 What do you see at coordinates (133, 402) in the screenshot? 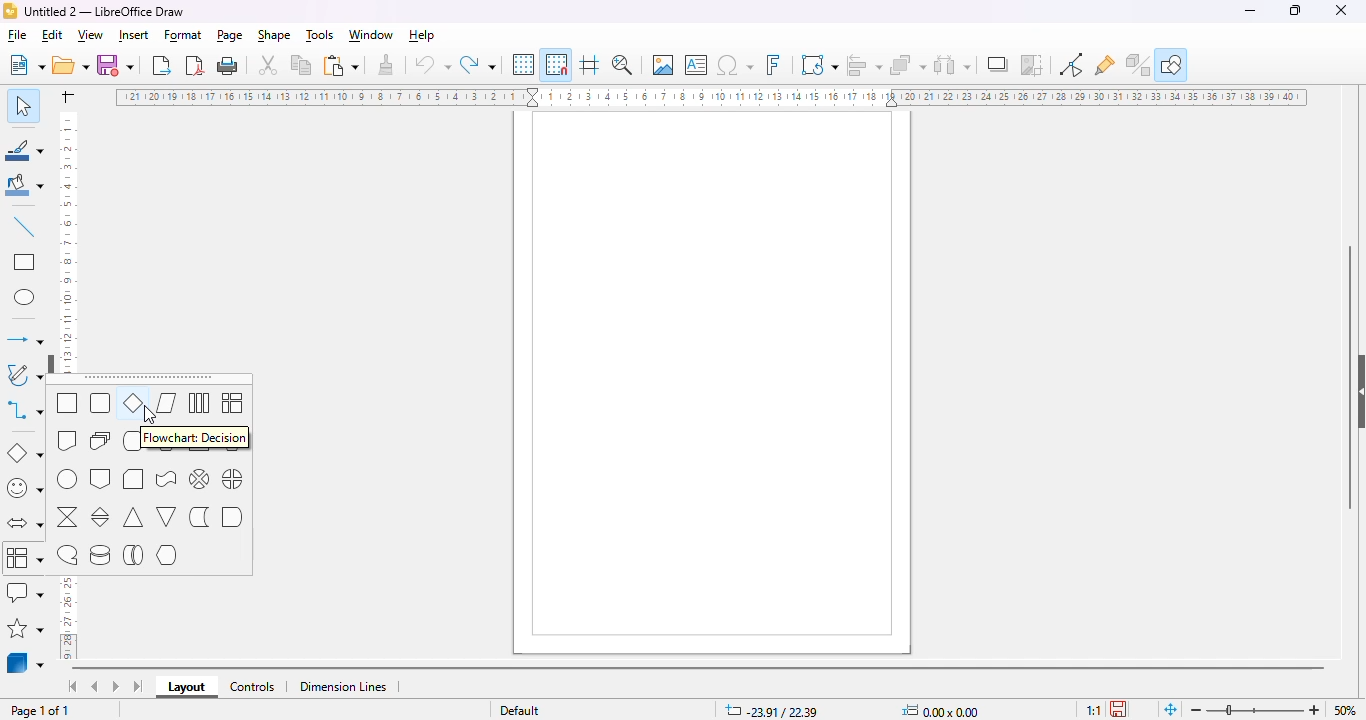
I see `flowchart: decision` at bounding box center [133, 402].